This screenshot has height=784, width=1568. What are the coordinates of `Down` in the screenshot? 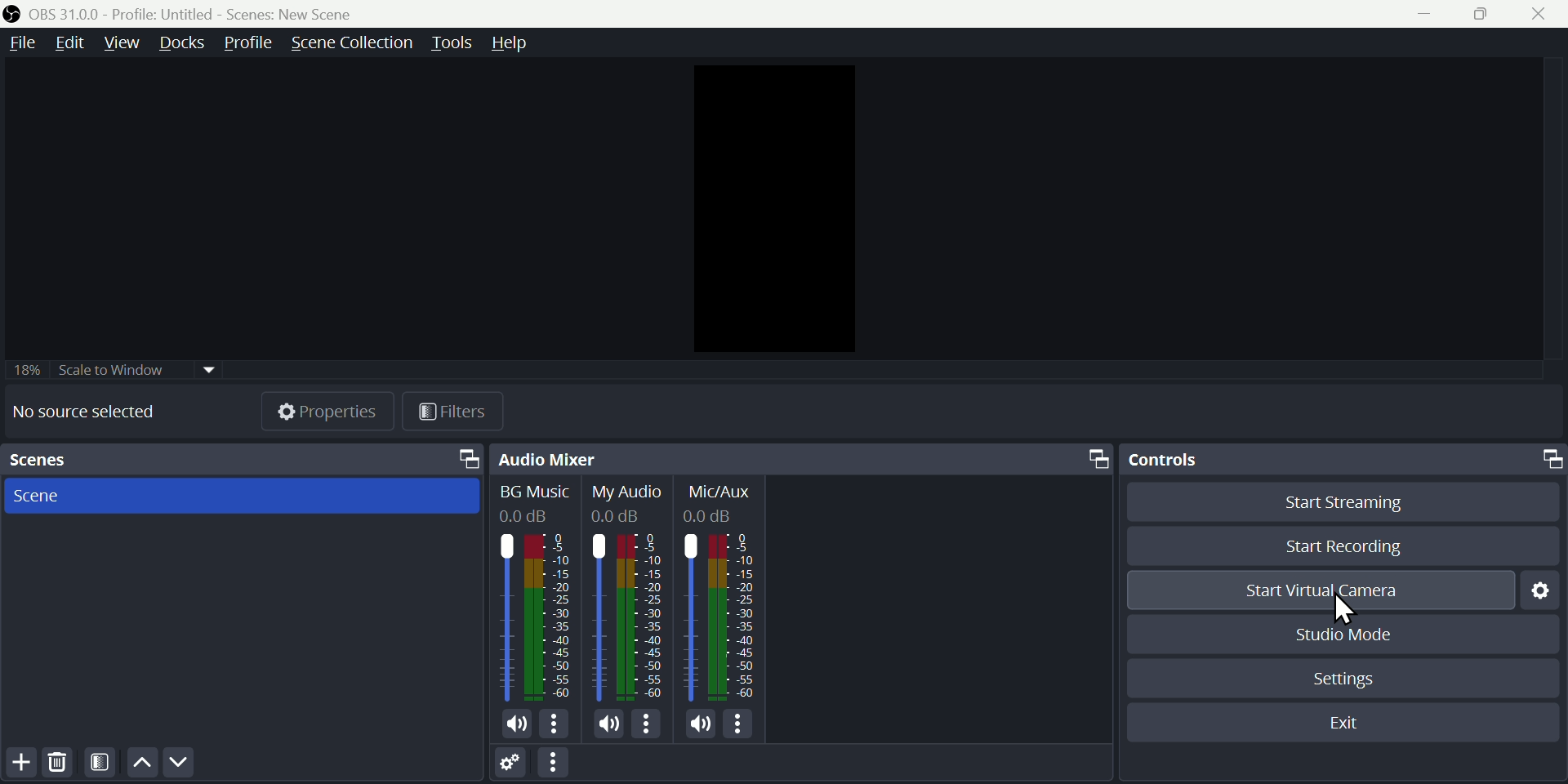 It's located at (177, 762).